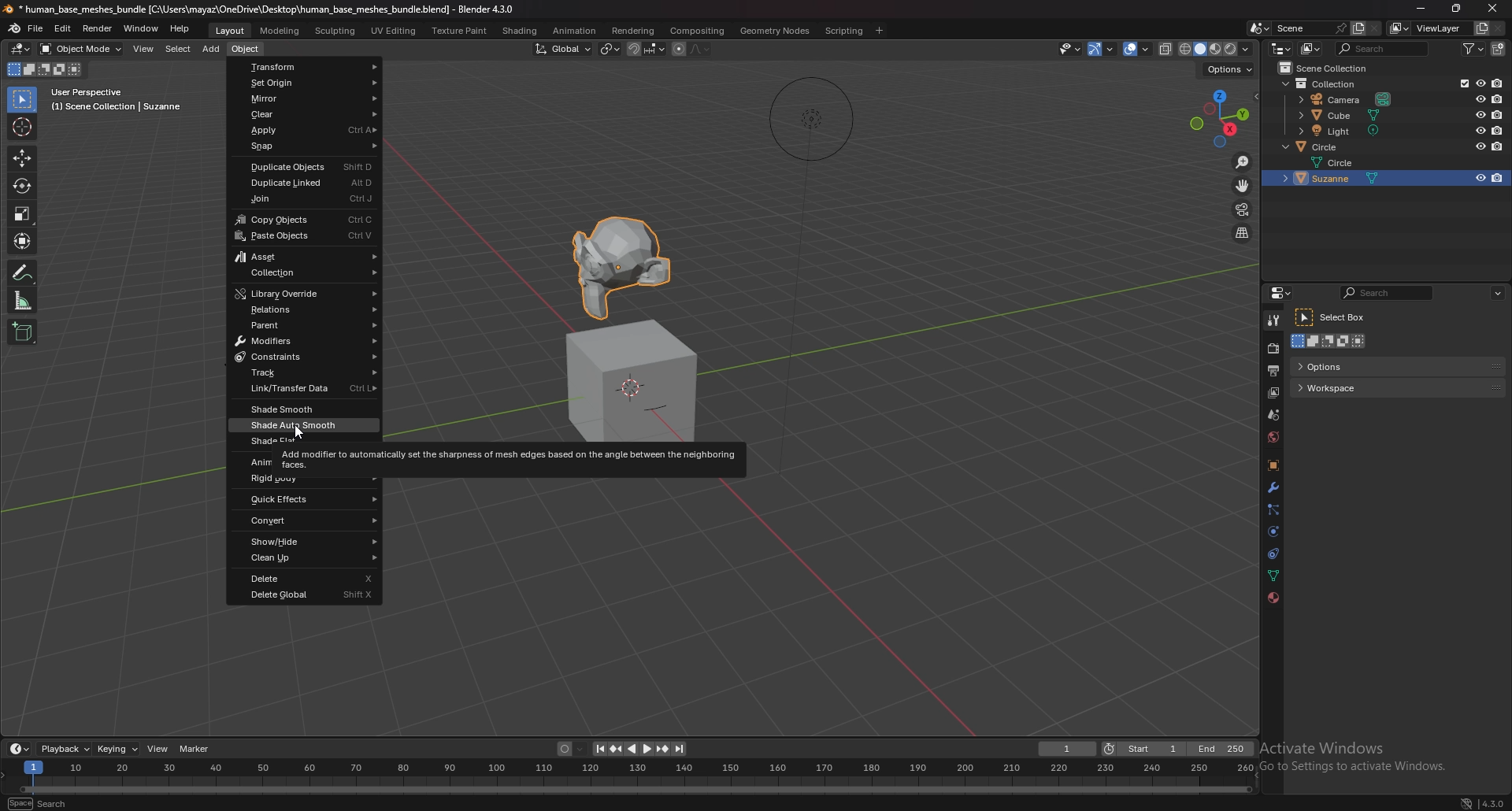  What do you see at coordinates (1346, 99) in the screenshot?
I see `camera` at bounding box center [1346, 99].